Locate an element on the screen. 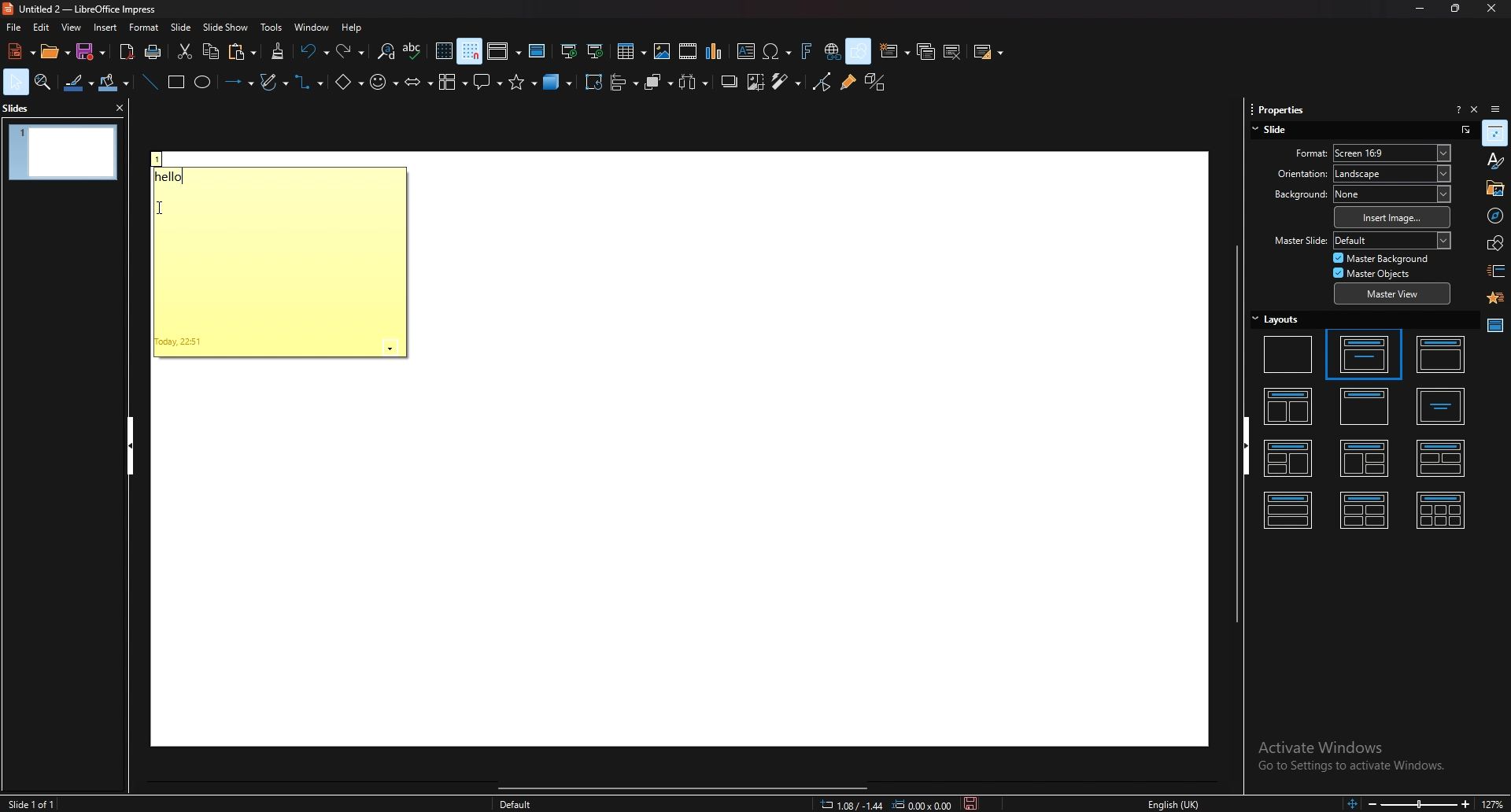 The width and height of the screenshot is (1511, 812). block arrows is located at coordinates (418, 81).